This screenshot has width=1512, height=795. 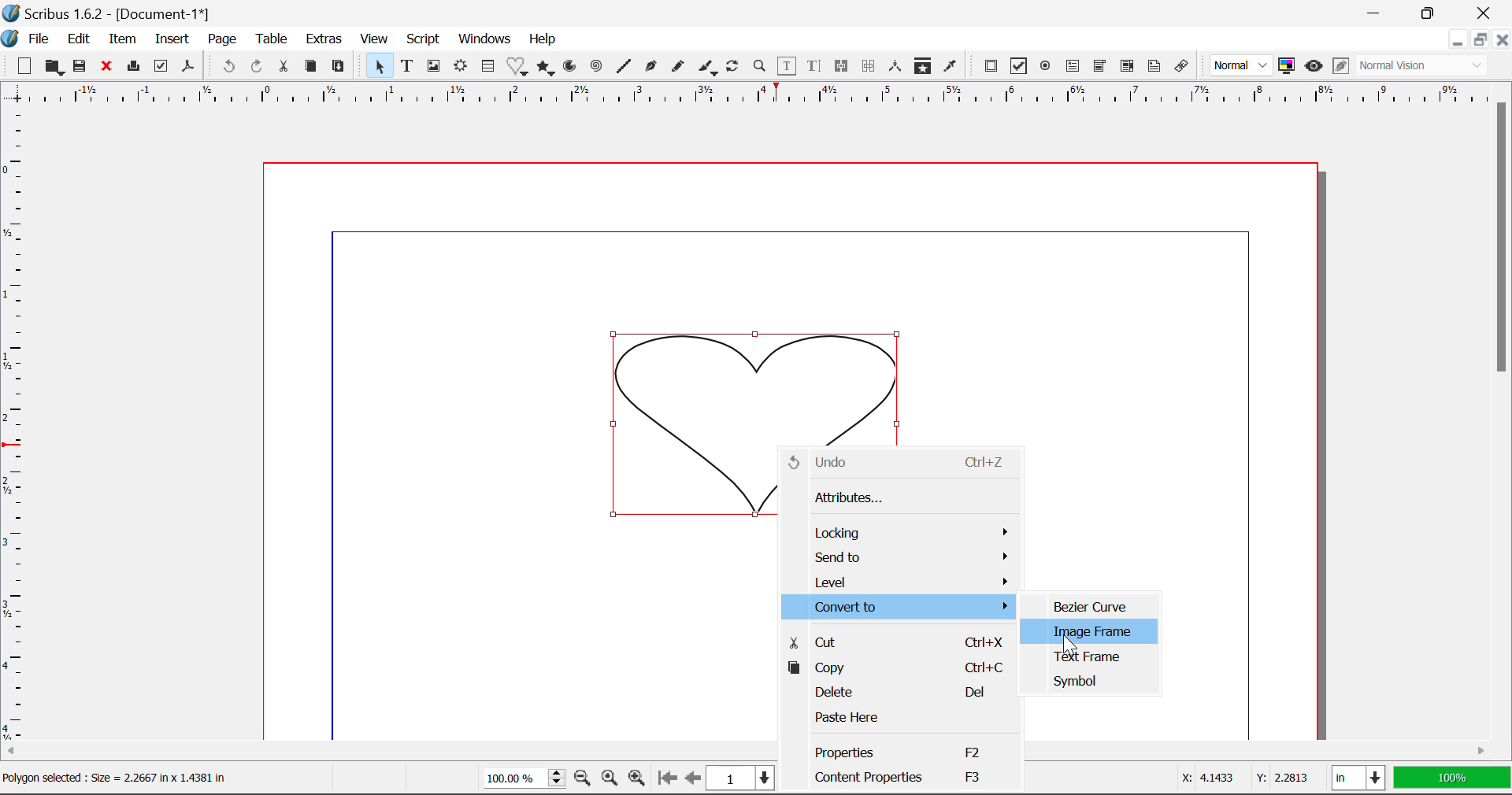 What do you see at coordinates (694, 779) in the screenshot?
I see `Previous` at bounding box center [694, 779].